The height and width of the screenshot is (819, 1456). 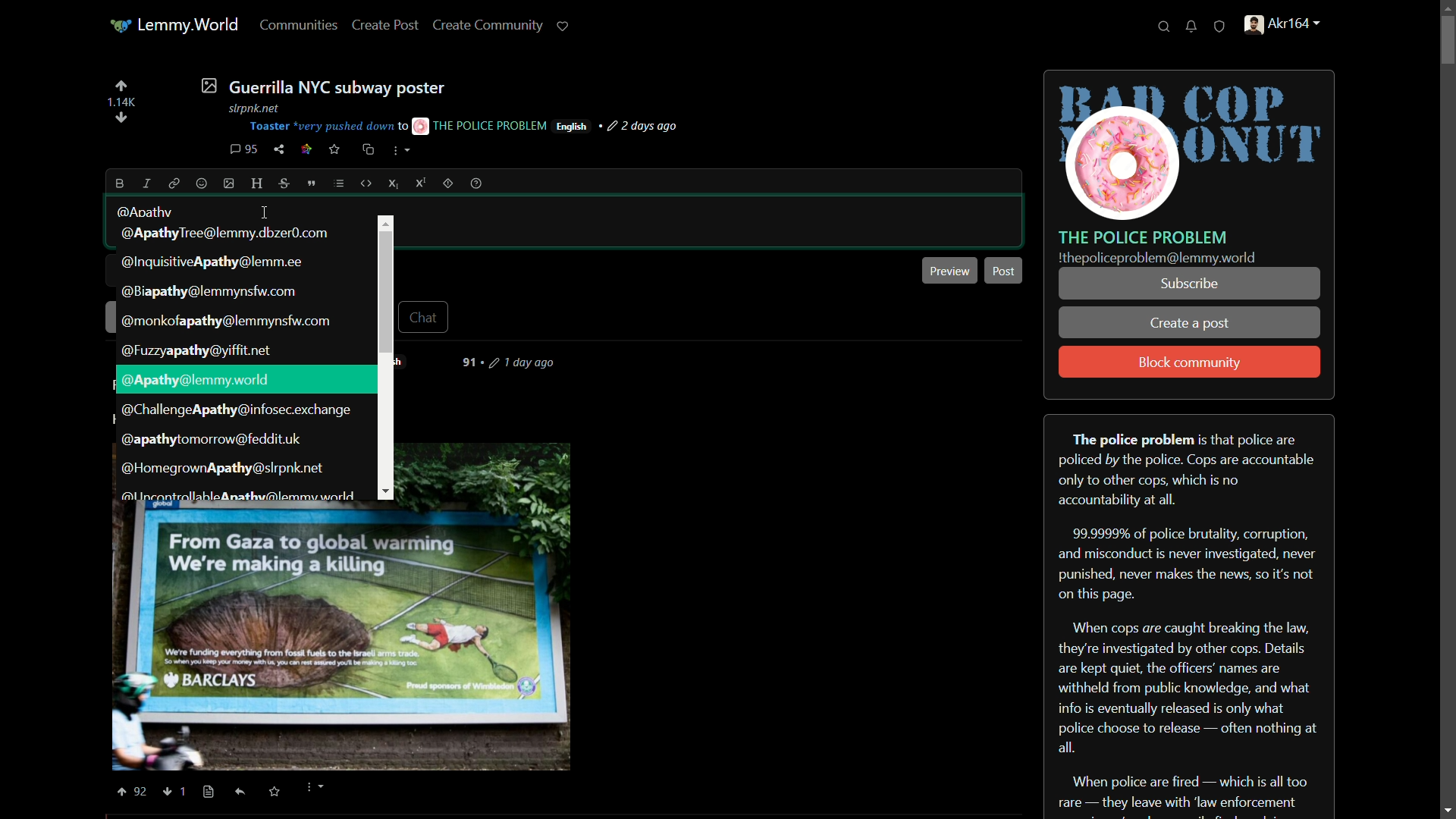 I want to click on suggestion-1, so click(x=231, y=233).